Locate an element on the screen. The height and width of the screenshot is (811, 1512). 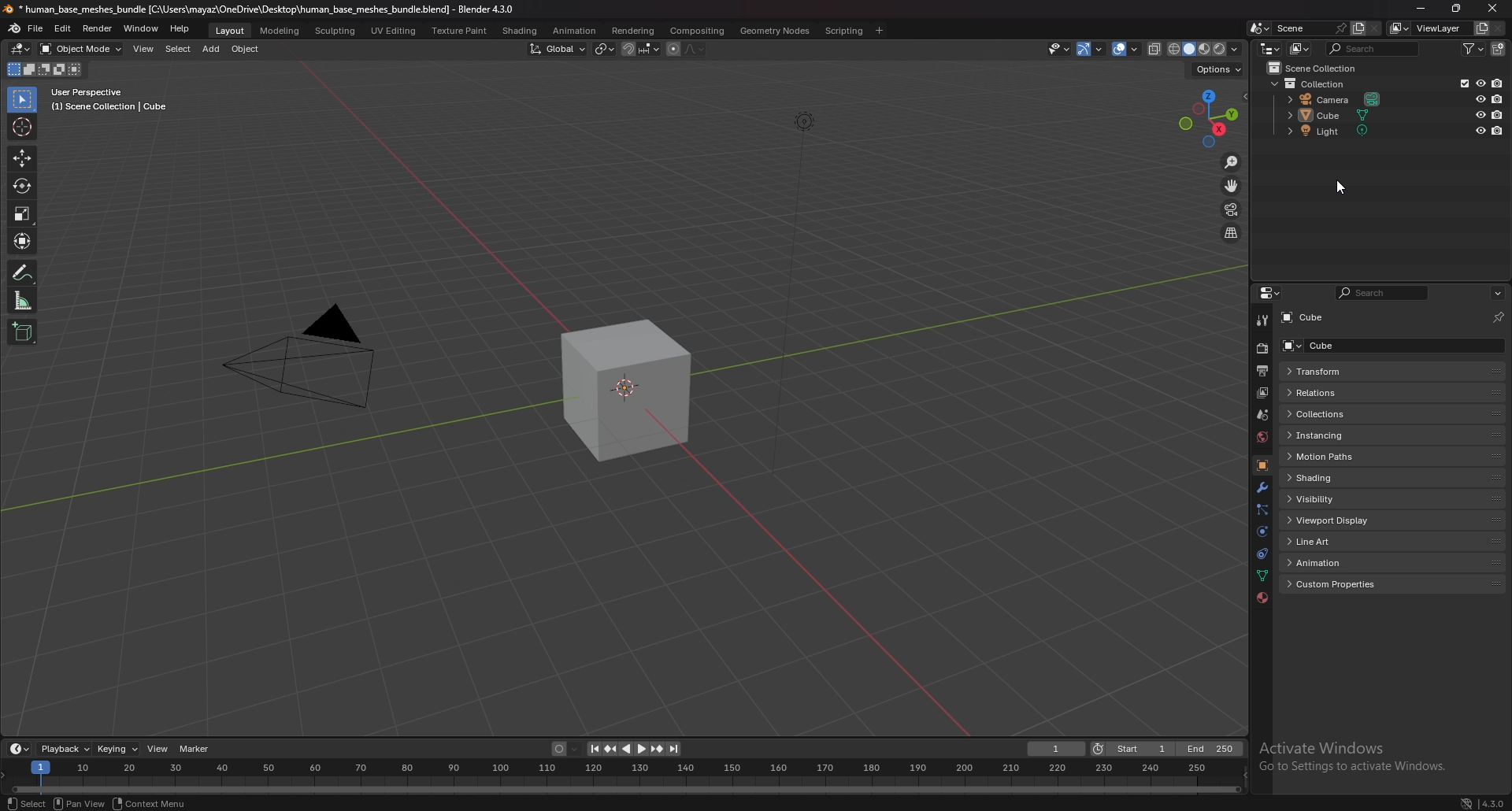
window is located at coordinates (142, 29).